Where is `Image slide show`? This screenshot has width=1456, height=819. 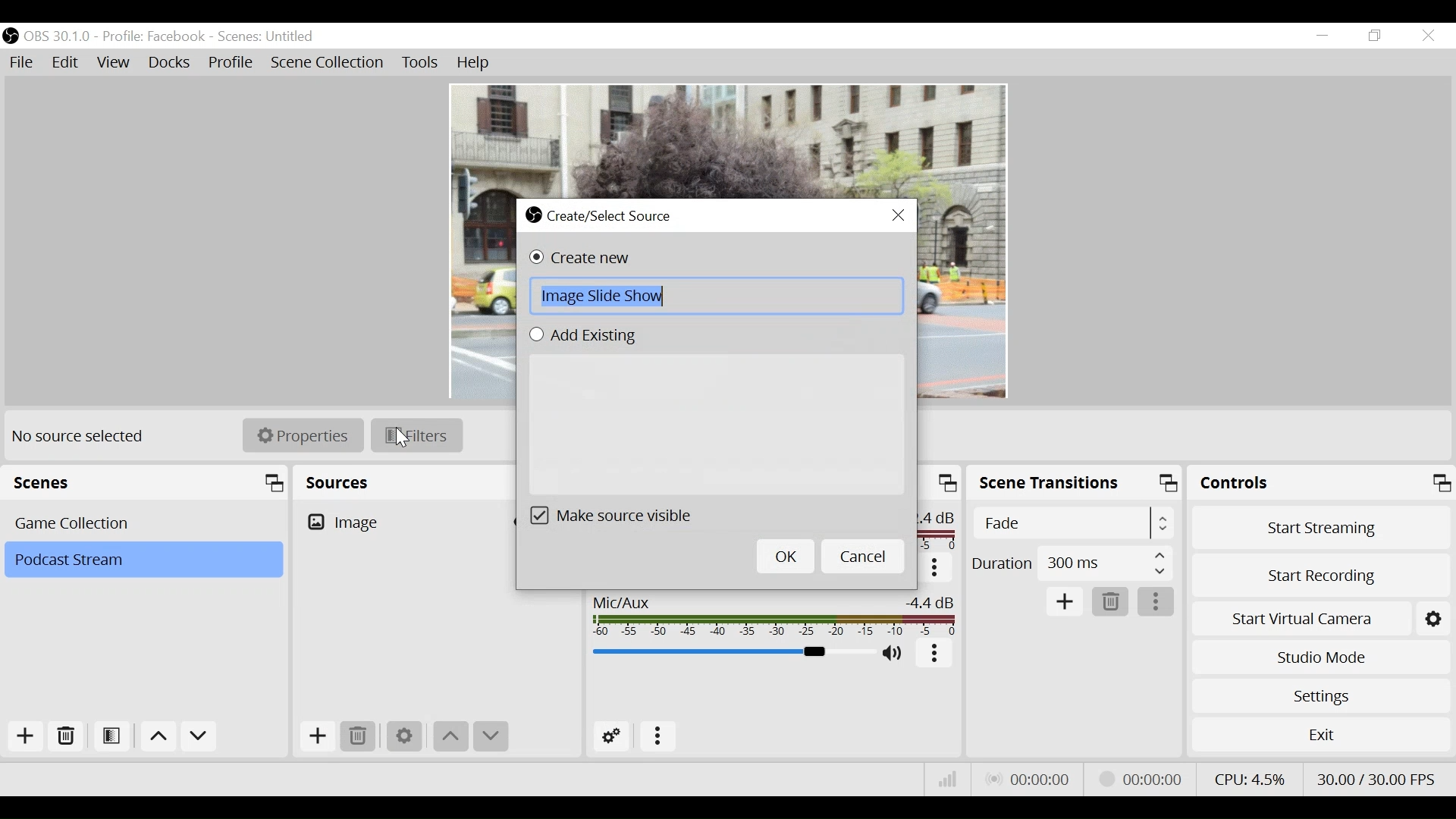 Image slide show is located at coordinates (717, 296).